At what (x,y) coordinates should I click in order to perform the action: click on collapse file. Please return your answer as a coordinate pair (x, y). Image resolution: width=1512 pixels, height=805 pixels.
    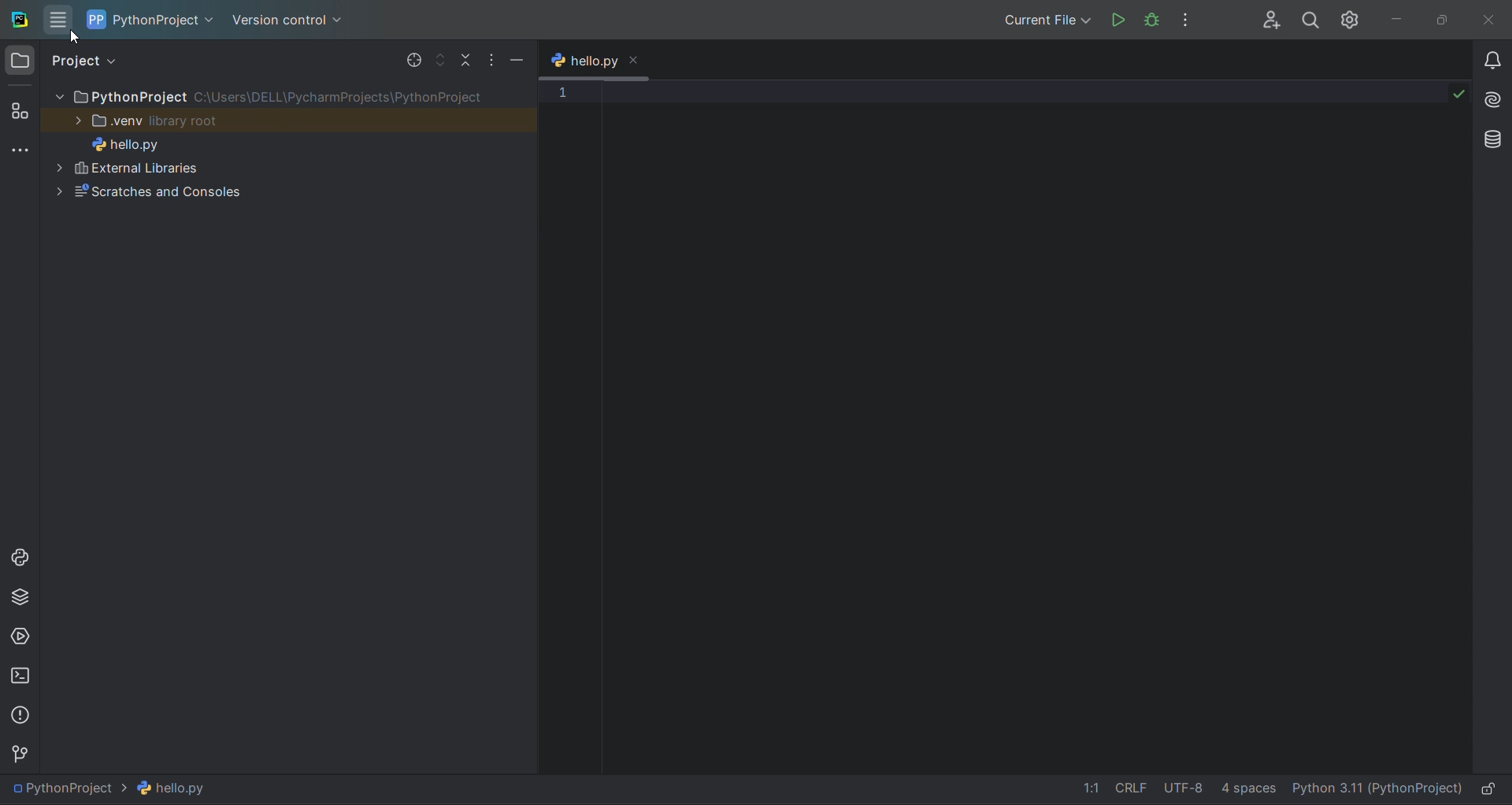
    Looking at the image, I should click on (465, 57).